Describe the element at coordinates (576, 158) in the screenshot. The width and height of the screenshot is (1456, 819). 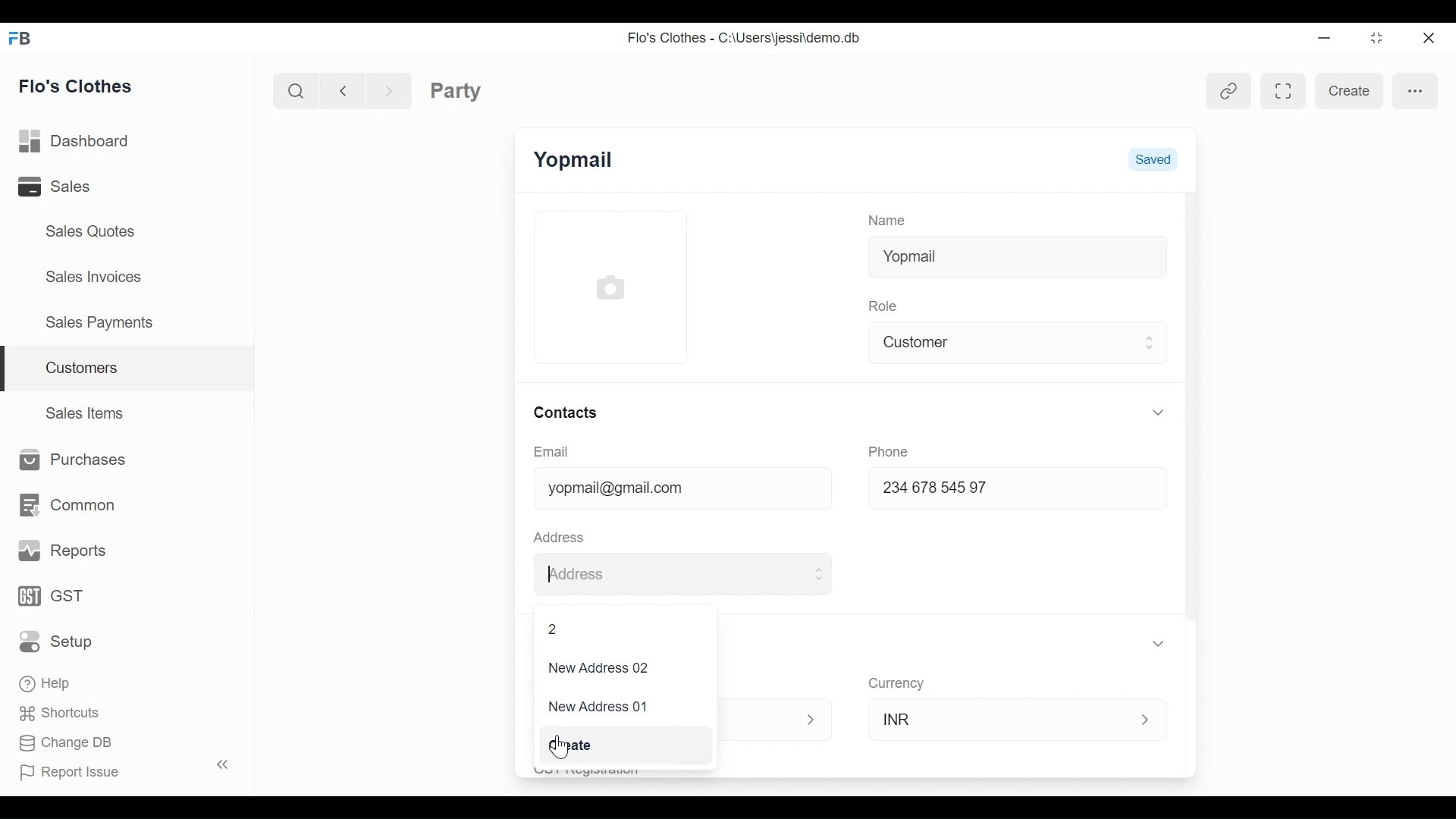
I see `Yopmail` at that location.